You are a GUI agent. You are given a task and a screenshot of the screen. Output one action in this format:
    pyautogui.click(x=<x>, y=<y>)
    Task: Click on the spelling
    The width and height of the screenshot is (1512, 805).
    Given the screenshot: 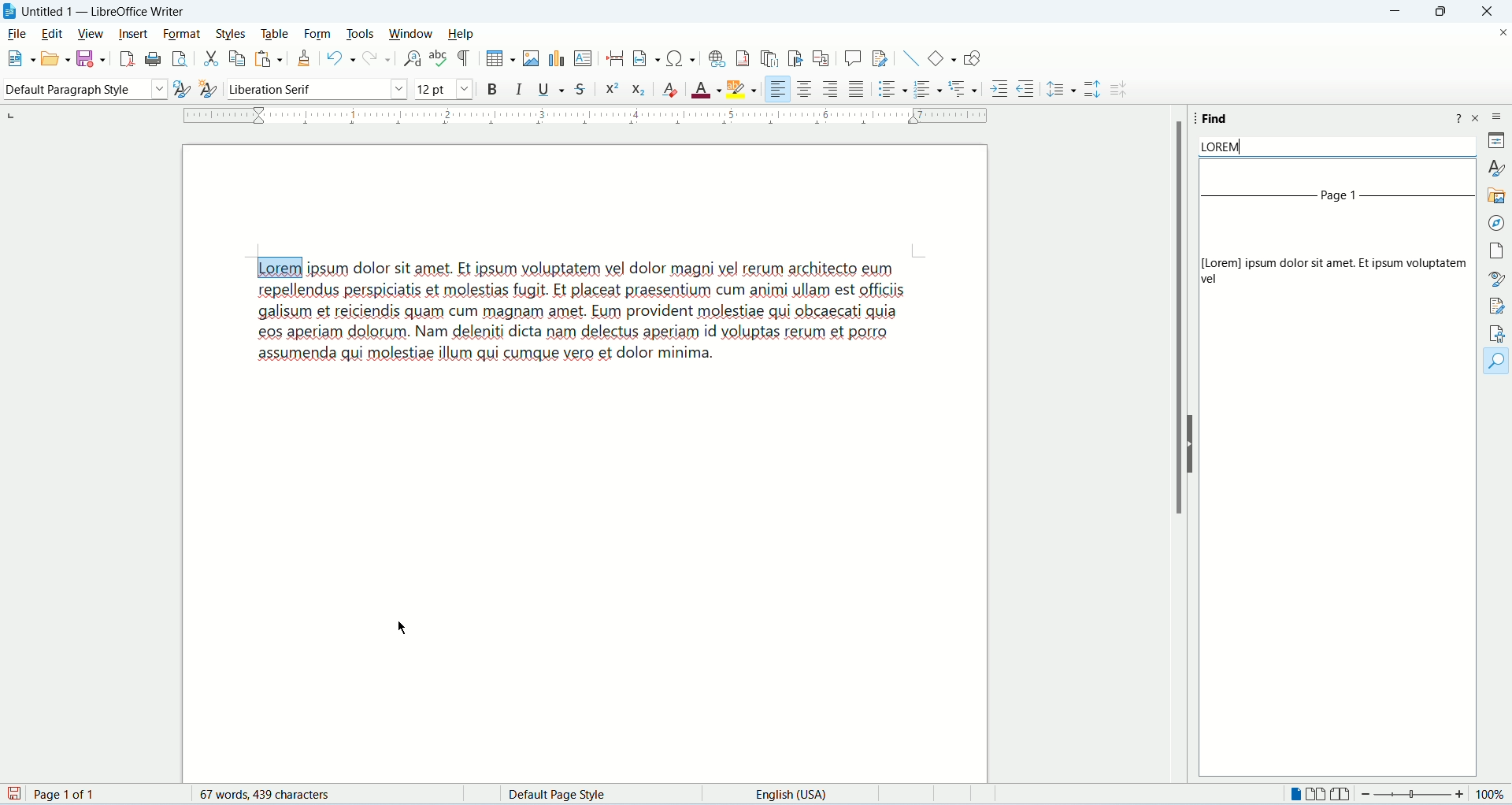 What is the action you would take?
    pyautogui.click(x=437, y=61)
    